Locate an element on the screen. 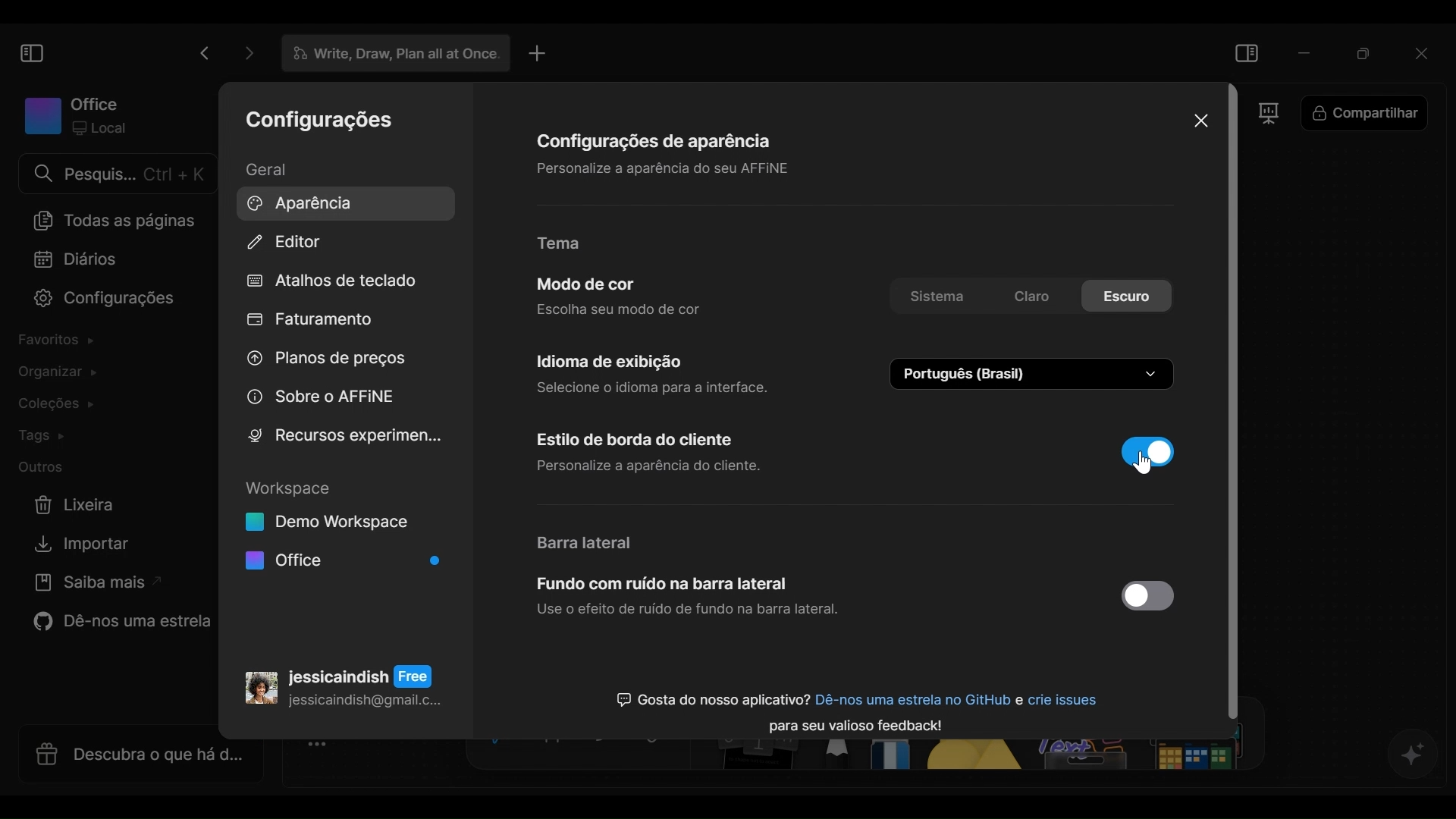 The image size is (1456, 819). Workspace is located at coordinates (343, 527).